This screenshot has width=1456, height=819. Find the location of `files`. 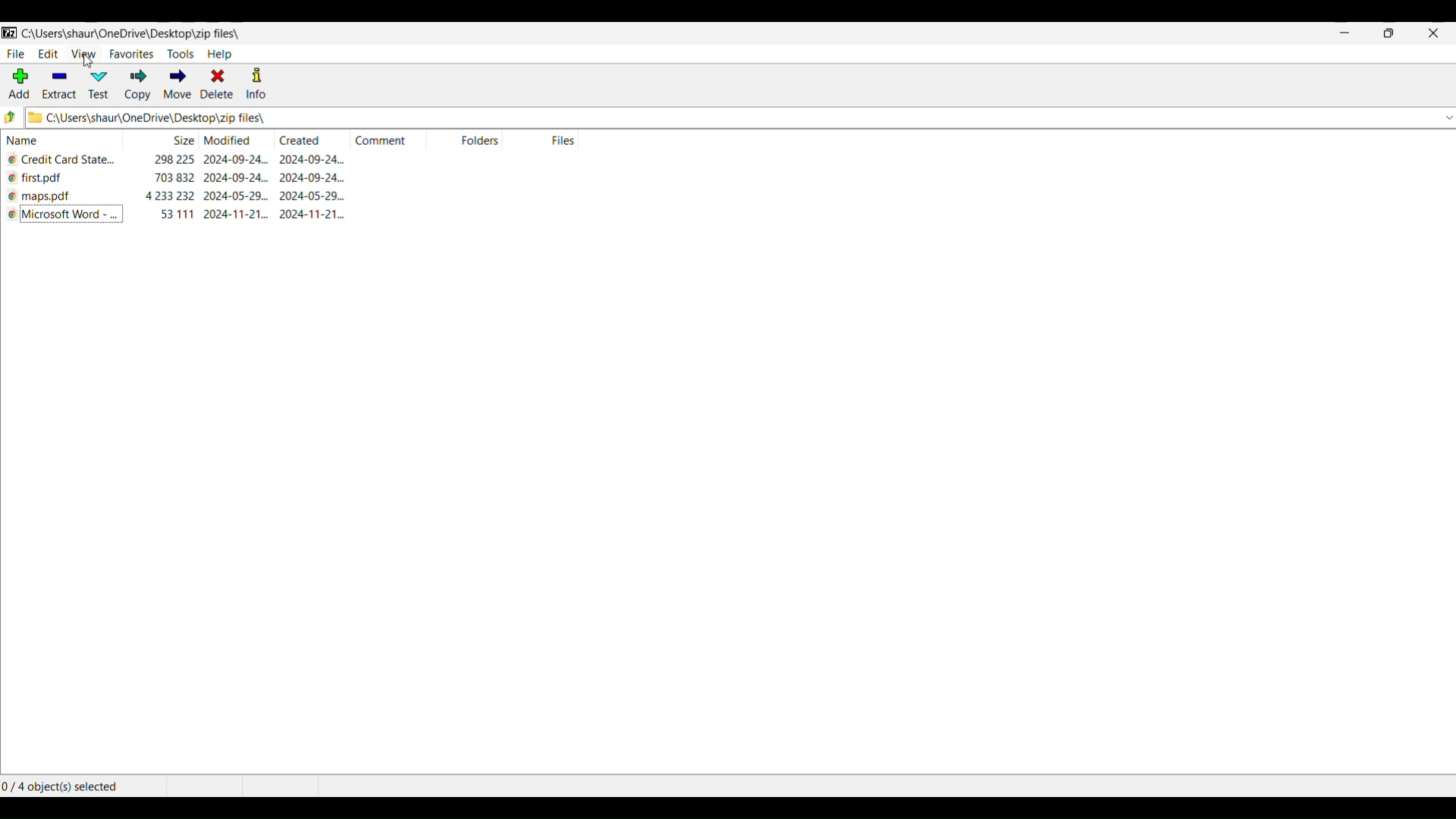

files is located at coordinates (568, 140).